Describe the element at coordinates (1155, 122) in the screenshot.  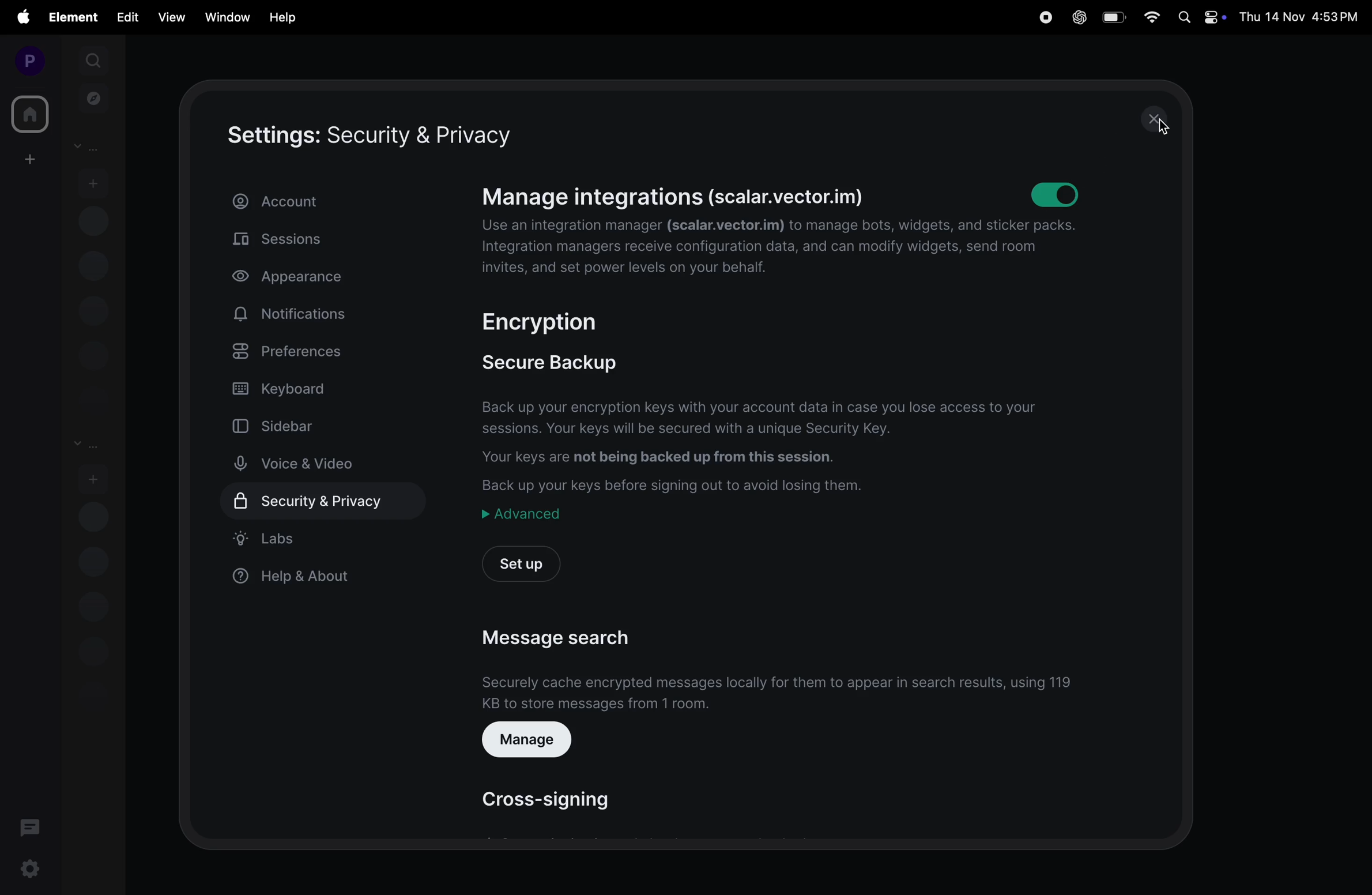
I see `close` at that location.